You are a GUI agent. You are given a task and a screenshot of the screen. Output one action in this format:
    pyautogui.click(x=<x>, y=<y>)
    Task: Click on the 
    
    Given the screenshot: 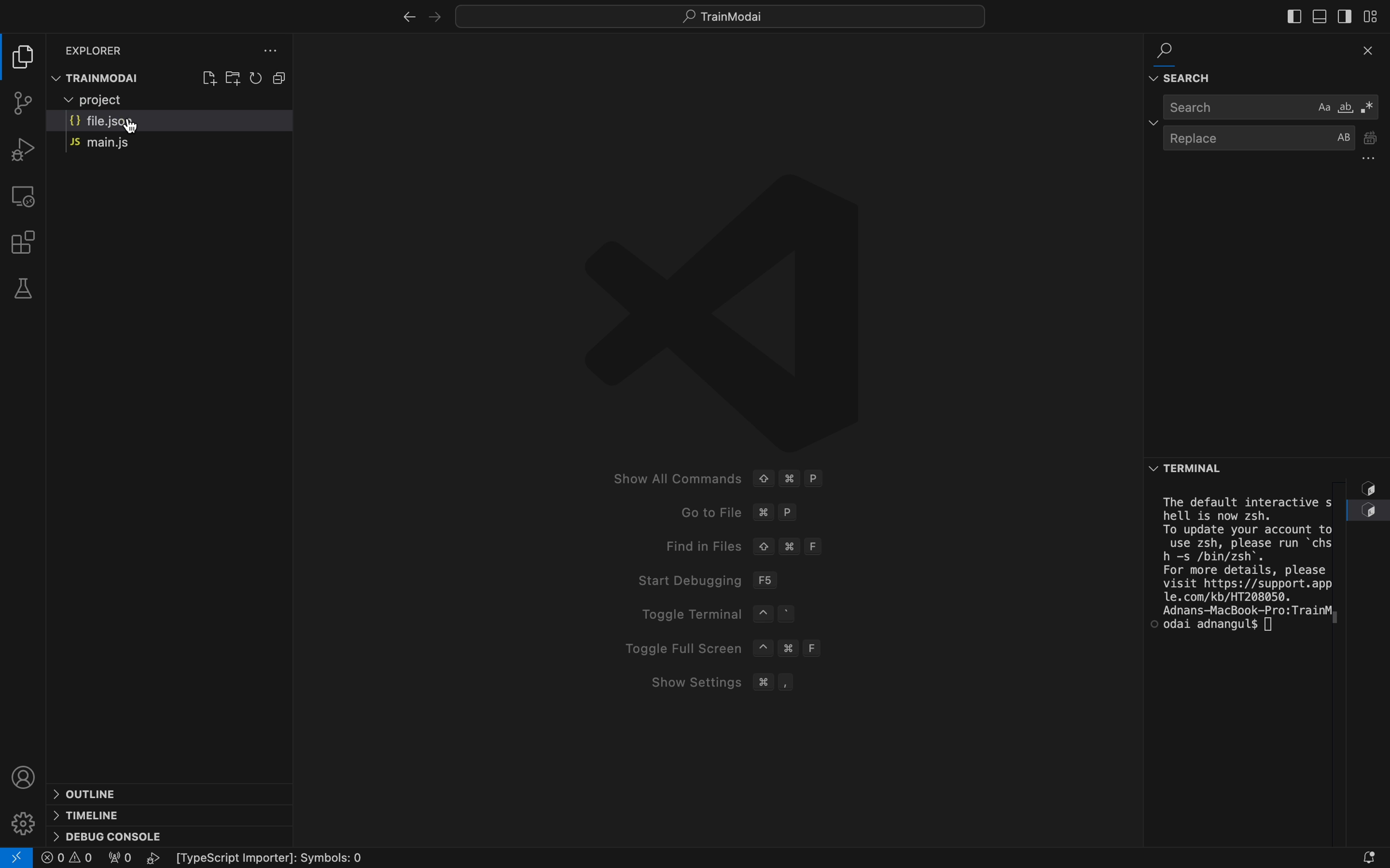 What is the action you would take?
    pyautogui.click(x=281, y=77)
    